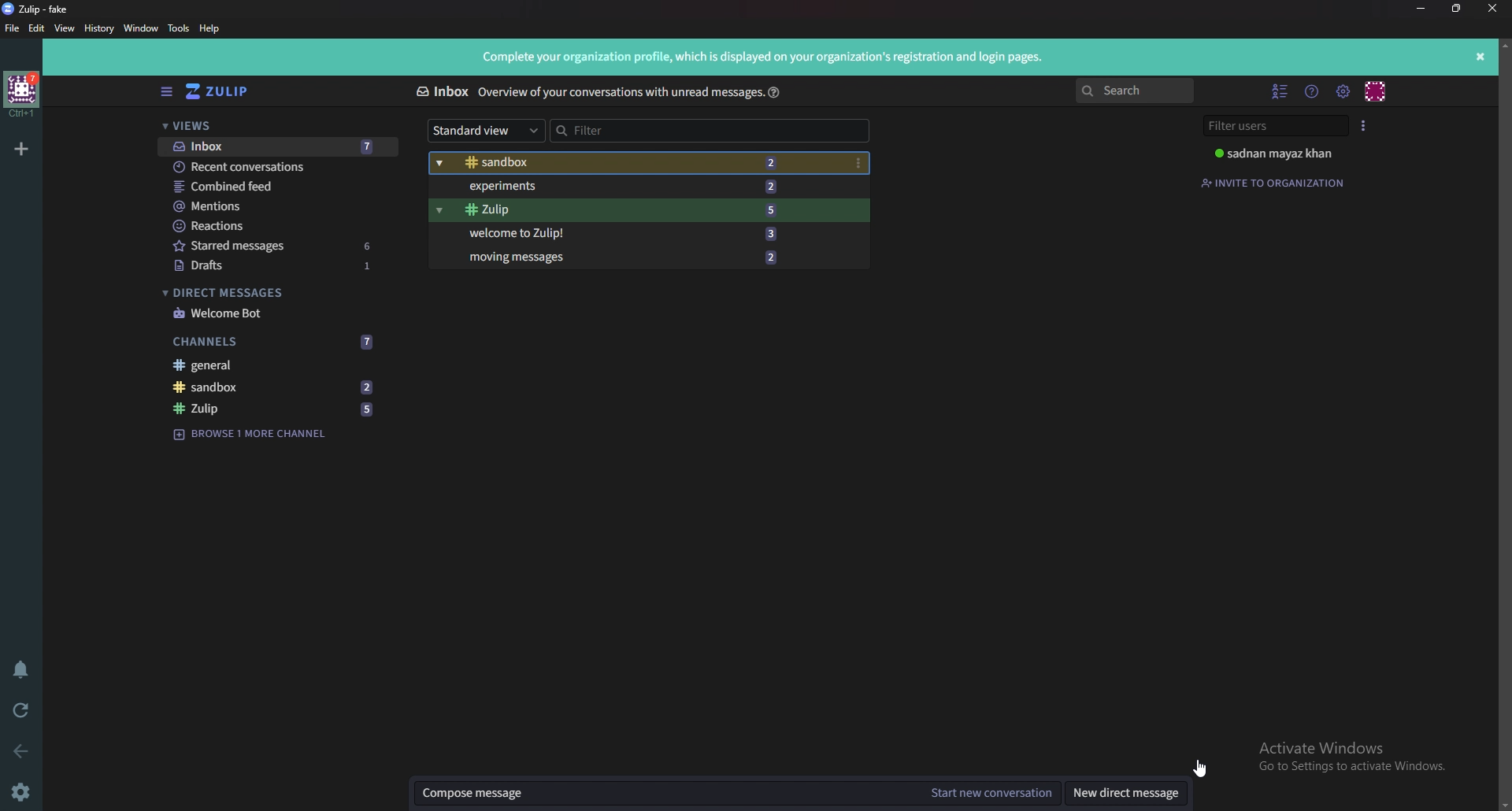  What do you see at coordinates (165, 91) in the screenshot?
I see `Hide side bar` at bounding box center [165, 91].